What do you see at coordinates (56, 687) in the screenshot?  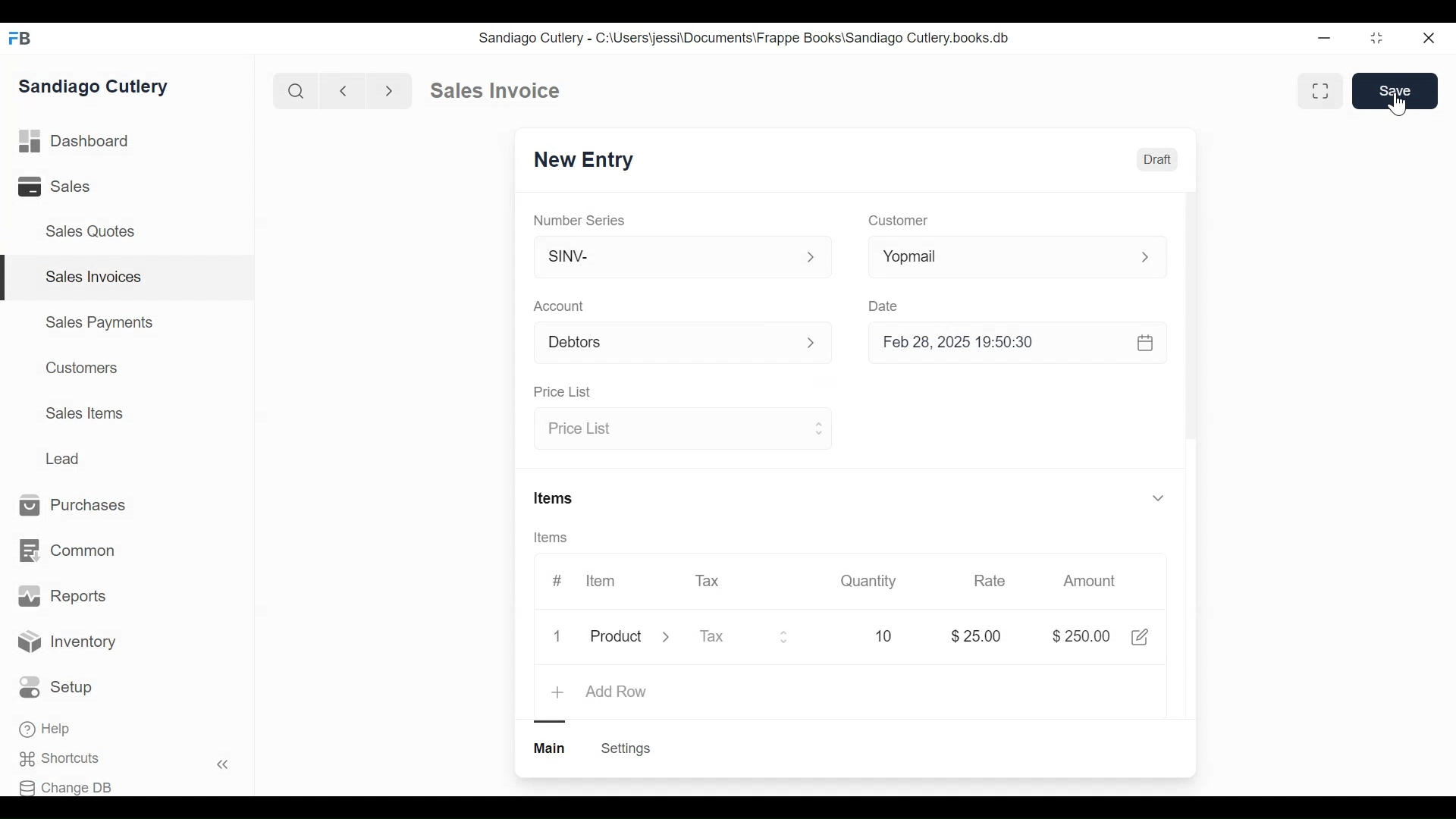 I see `Setup` at bounding box center [56, 687].